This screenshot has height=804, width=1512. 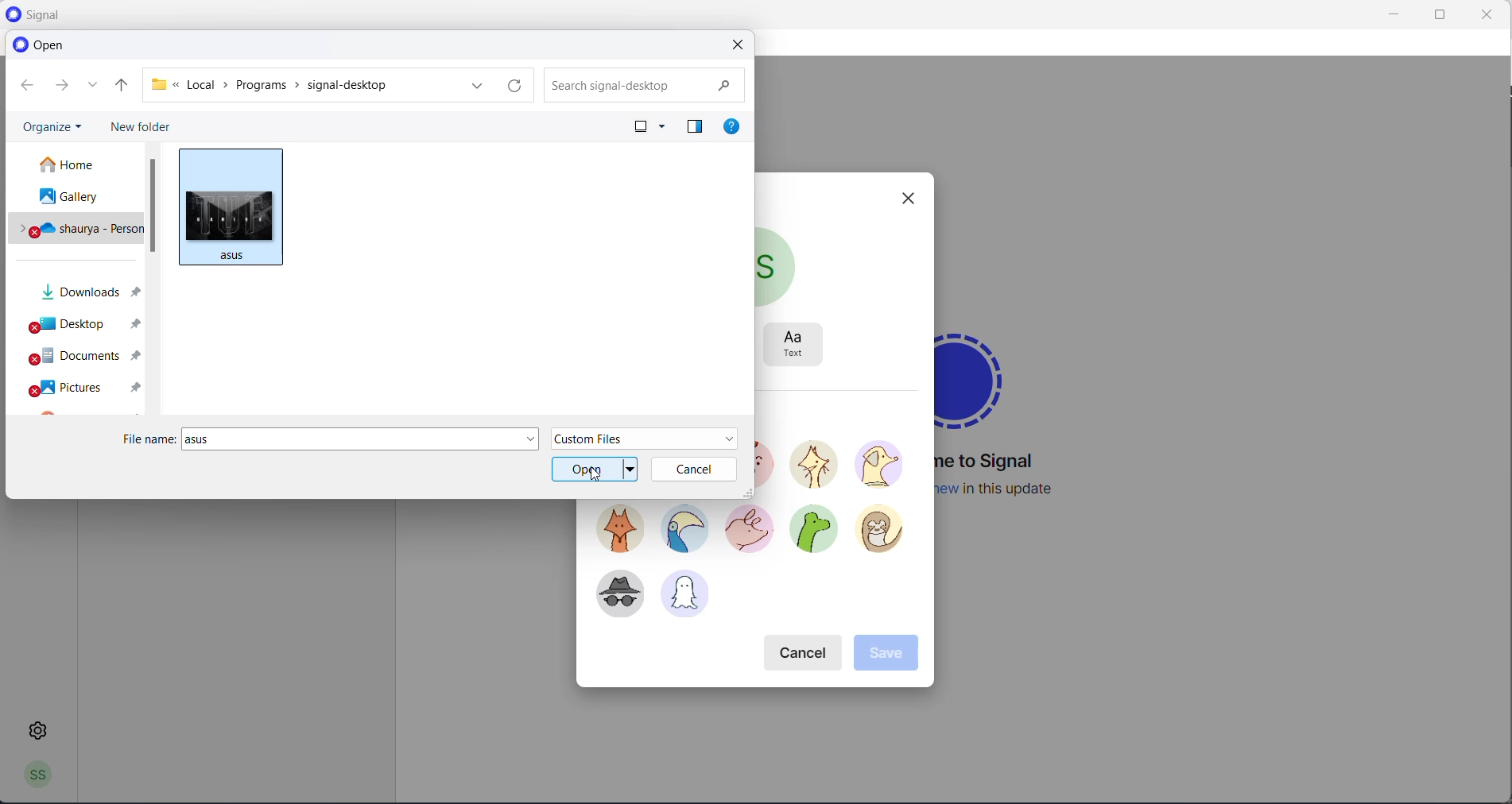 What do you see at coordinates (665, 412) in the screenshot?
I see `select avatar heading` at bounding box center [665, 412].